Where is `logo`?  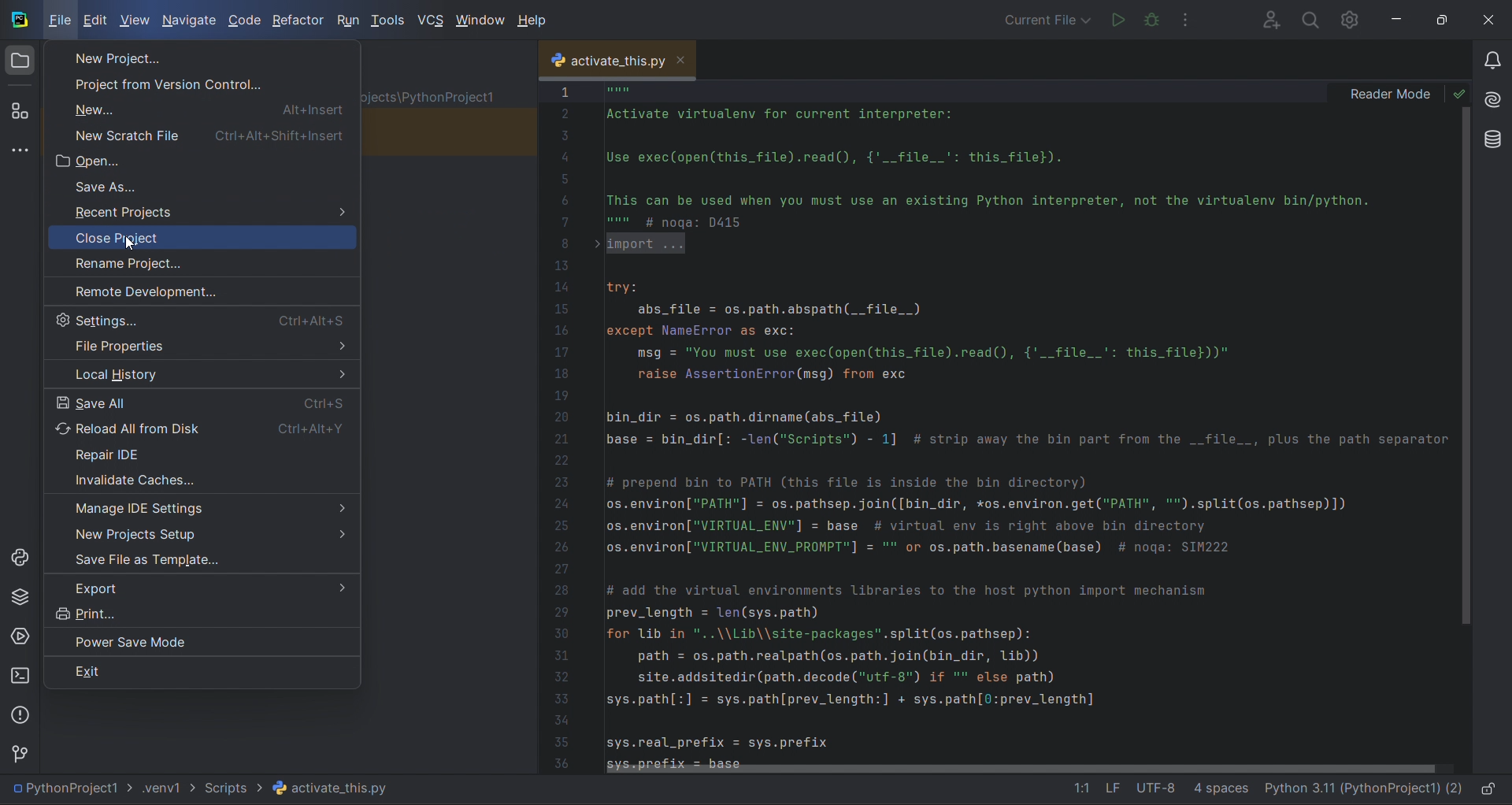
logo is located at coordinates (19, 20).